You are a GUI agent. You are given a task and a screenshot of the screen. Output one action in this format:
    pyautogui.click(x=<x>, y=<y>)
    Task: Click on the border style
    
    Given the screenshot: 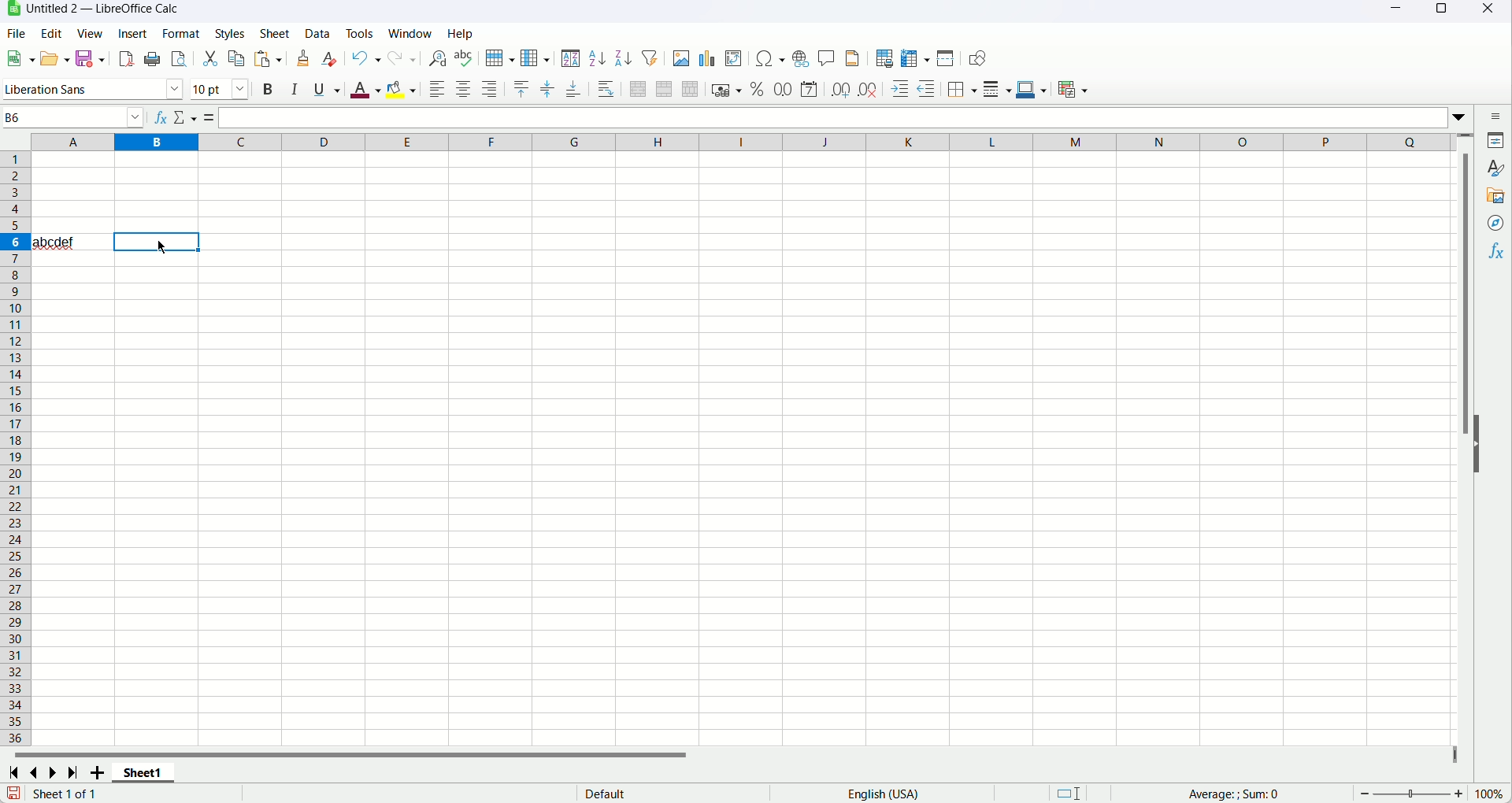 What is the action you would take?
    pyautogui.click(x=996, y=90)
    